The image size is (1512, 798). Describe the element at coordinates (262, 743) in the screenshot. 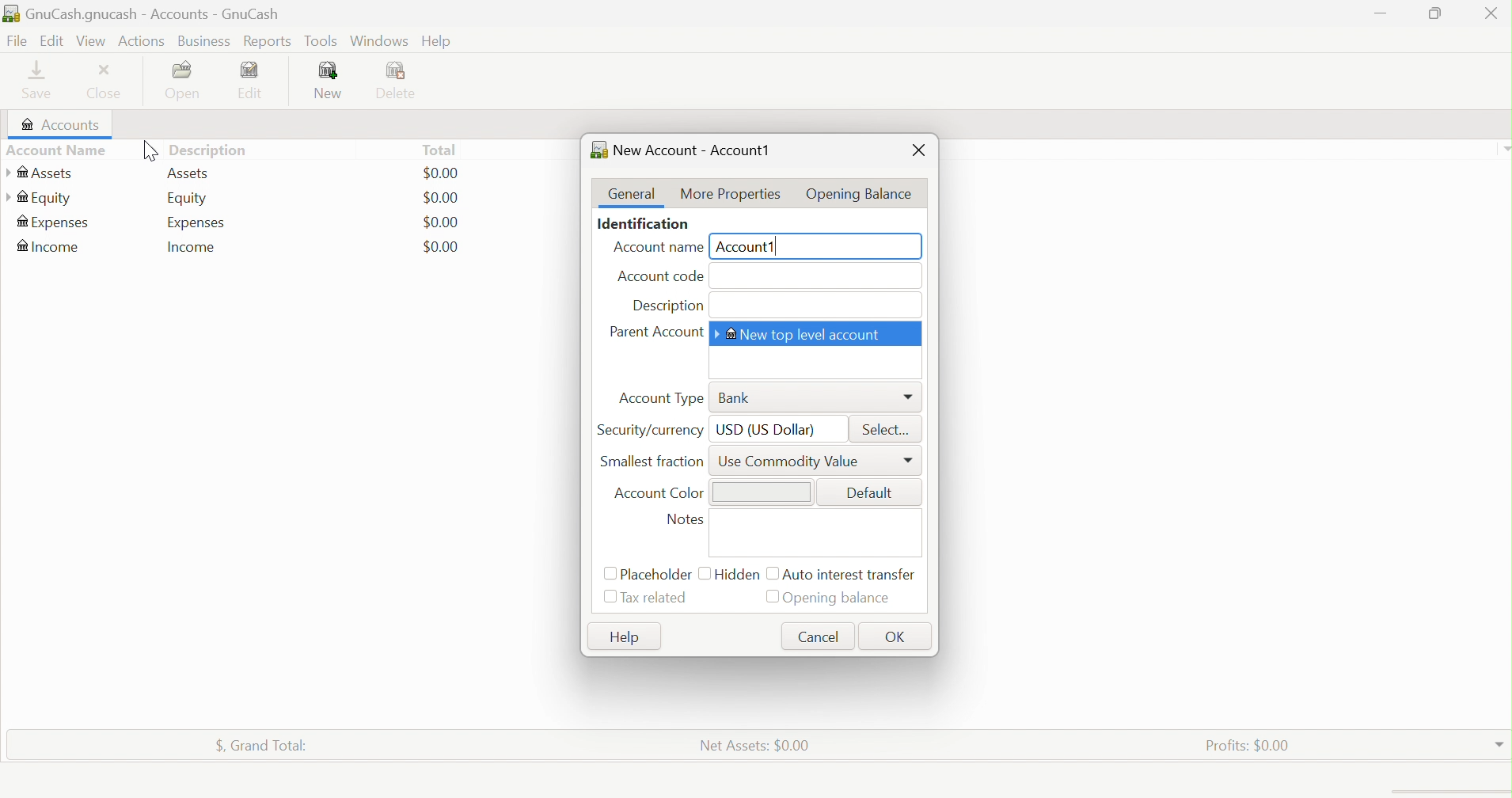

I see `$, Grand Total` at that location.